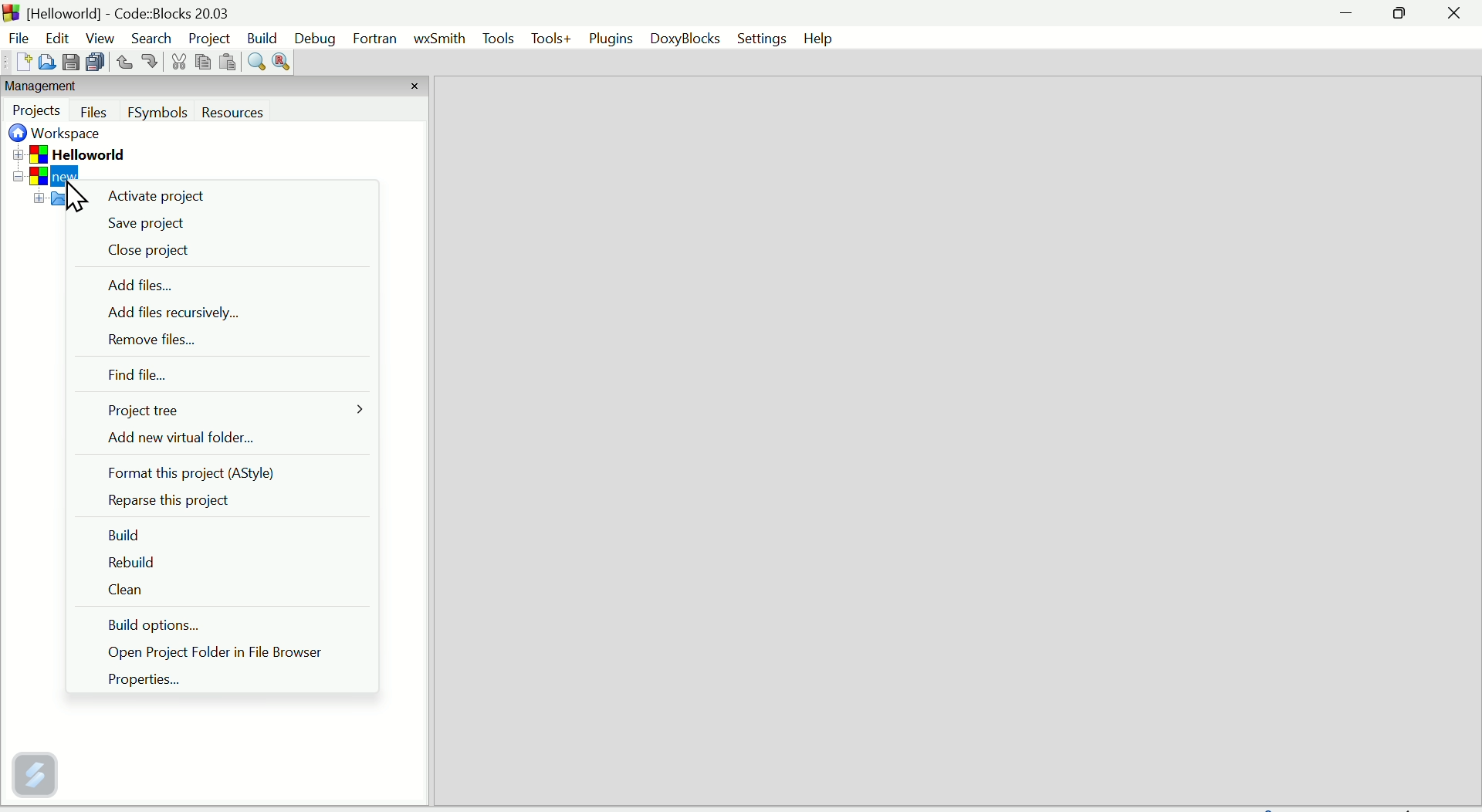 The image size is (1482, 812). Describe the element at coordinates (175, 627) in the screenshot. I see `Build options` at that location.